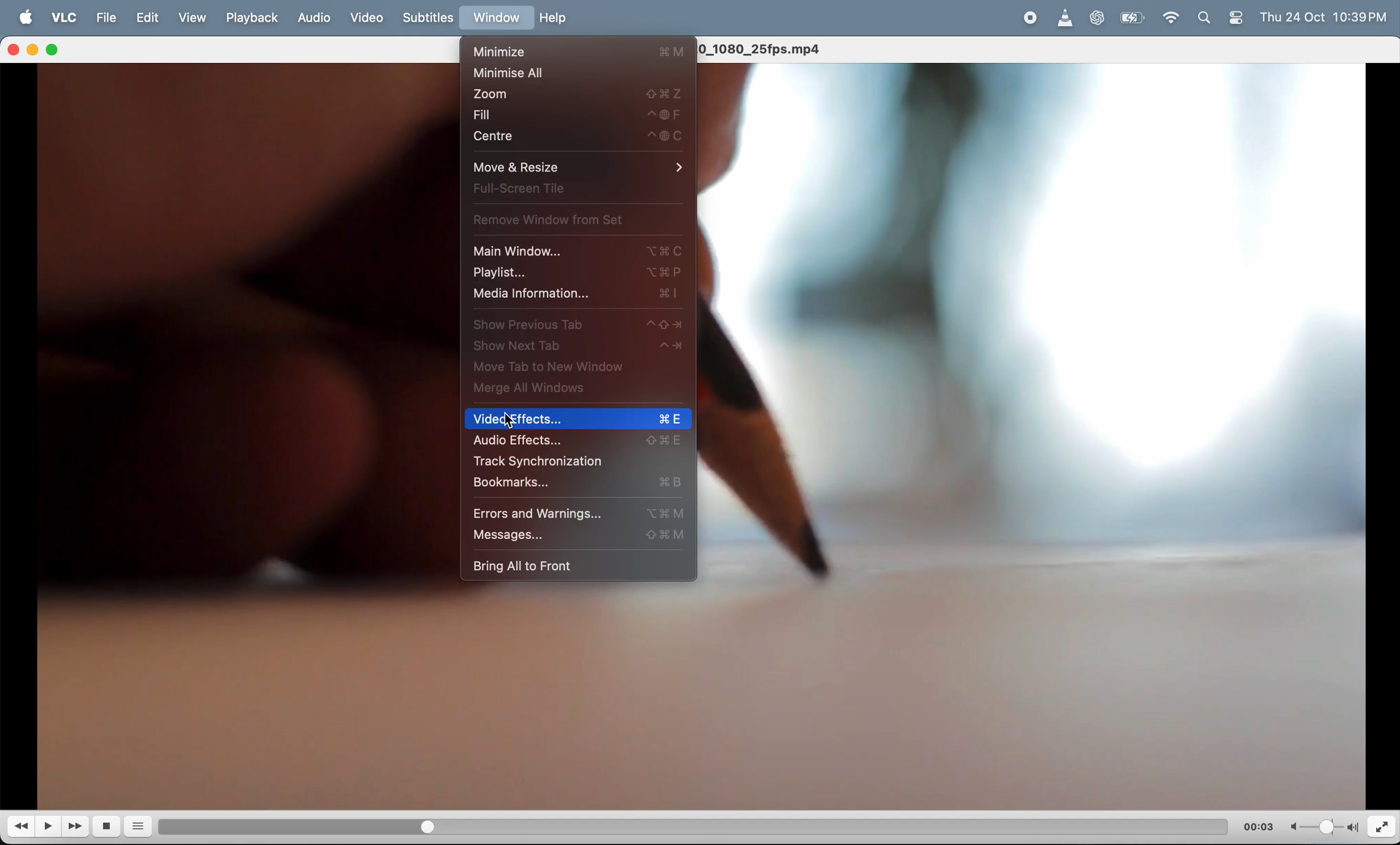 The image size is (1400, 845). I want to click on , so click(497, 18).